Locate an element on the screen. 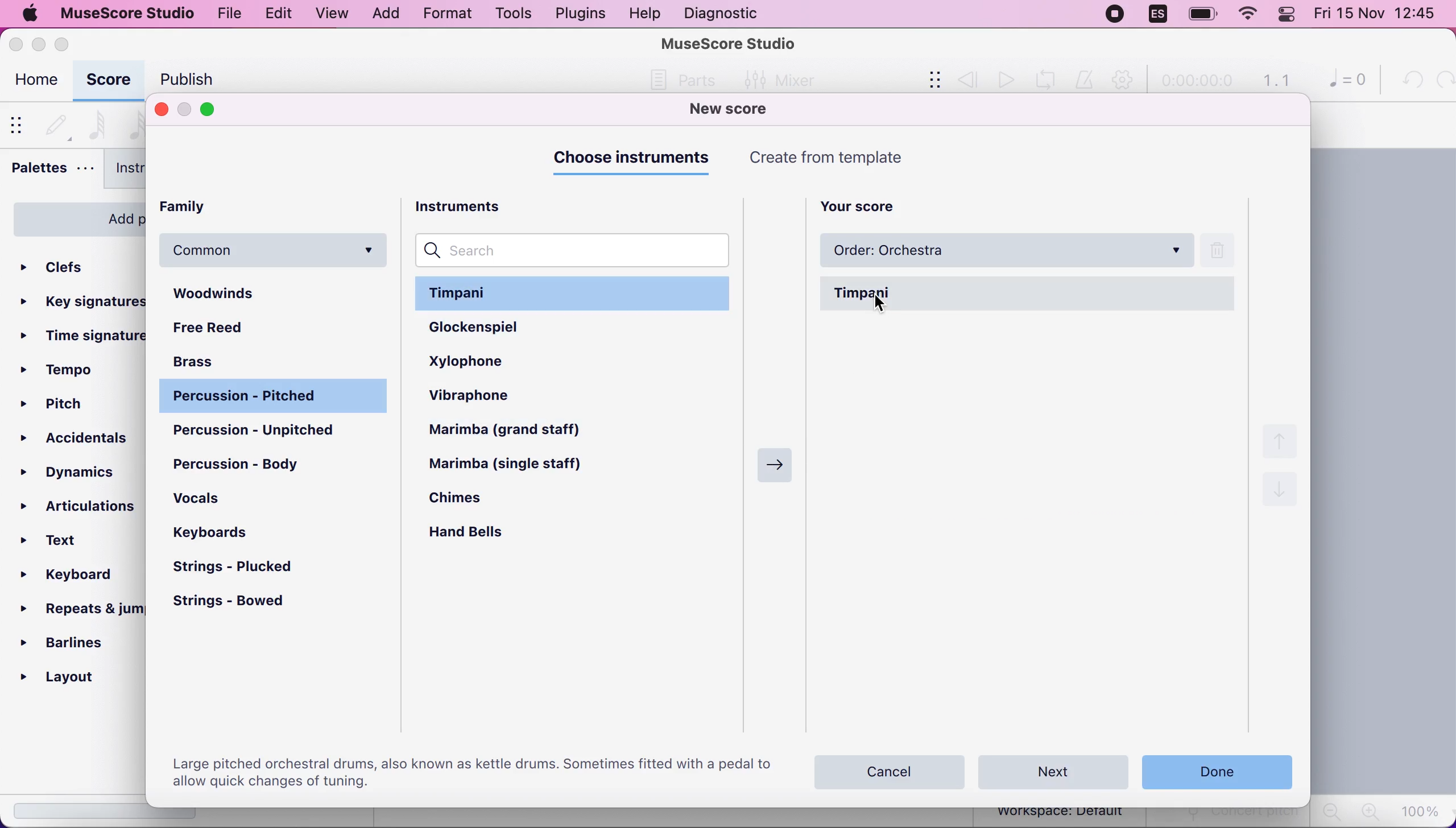 The width and height of the screenshot is (1456, 828). review is located at coordinates (968, 79).